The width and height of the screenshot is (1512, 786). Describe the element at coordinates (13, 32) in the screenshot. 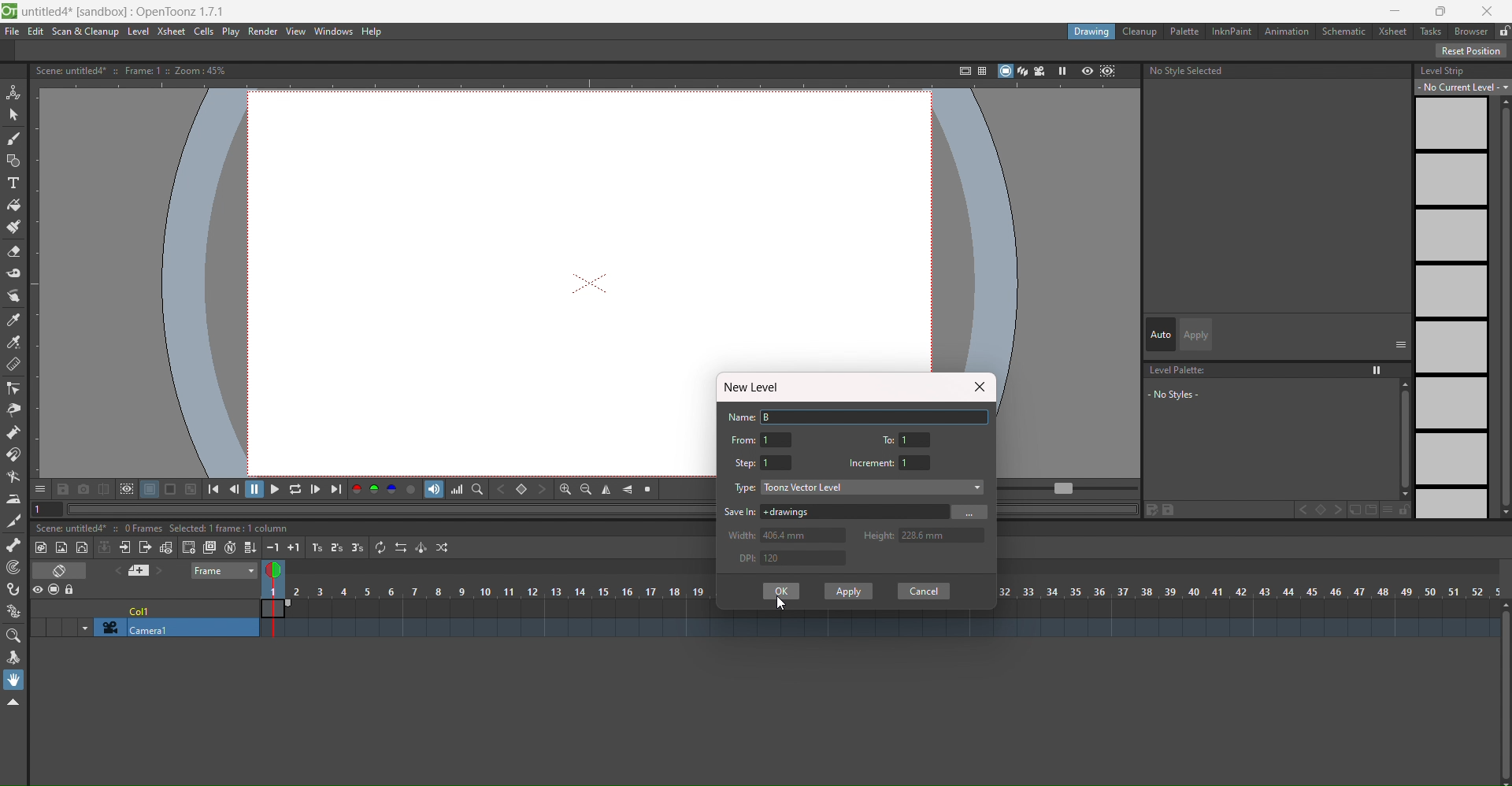

I see `file` at that location.